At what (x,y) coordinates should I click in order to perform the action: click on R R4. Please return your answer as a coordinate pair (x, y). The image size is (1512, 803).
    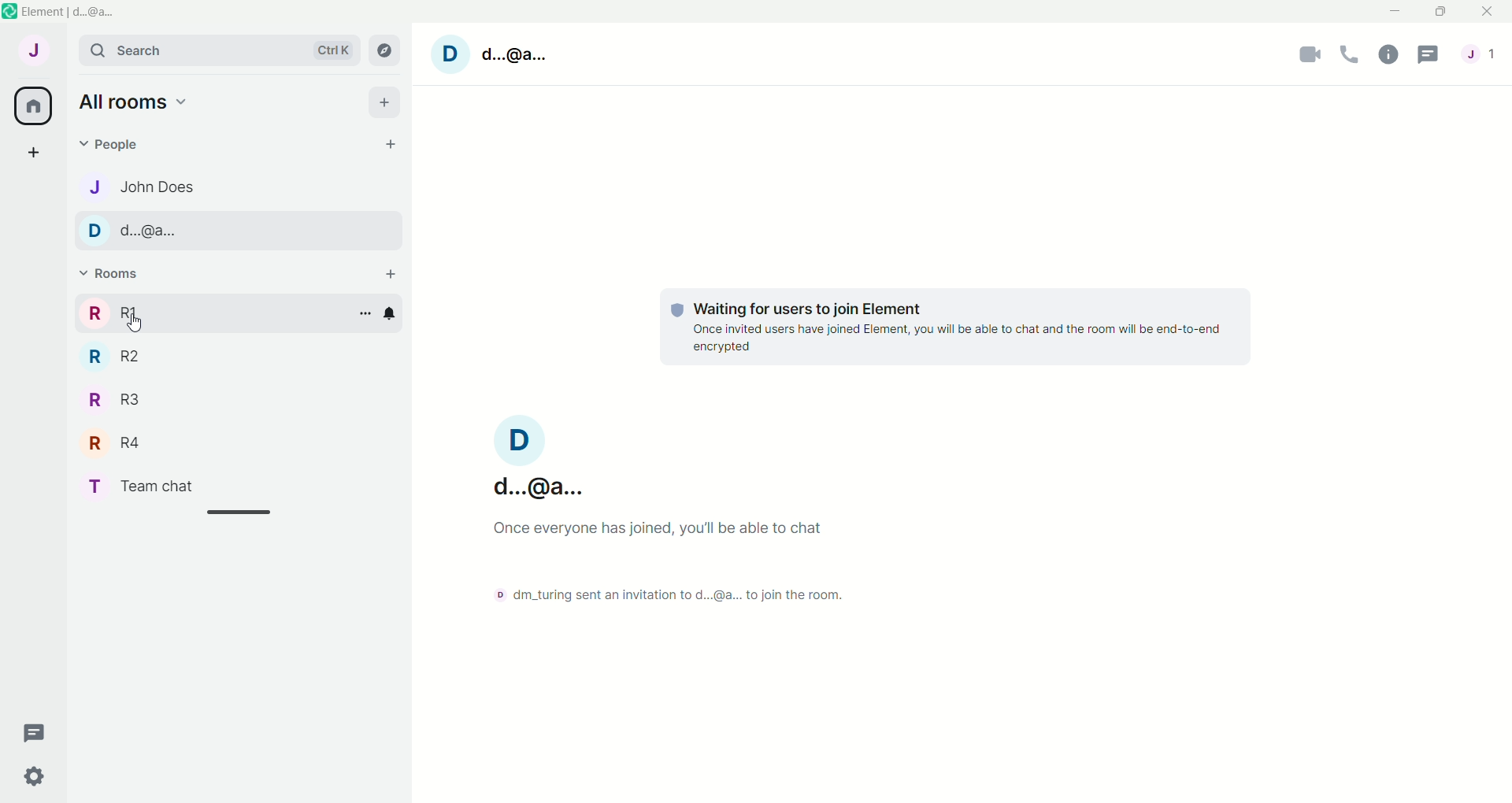
    Looking at the image, I should click on (110, 441).